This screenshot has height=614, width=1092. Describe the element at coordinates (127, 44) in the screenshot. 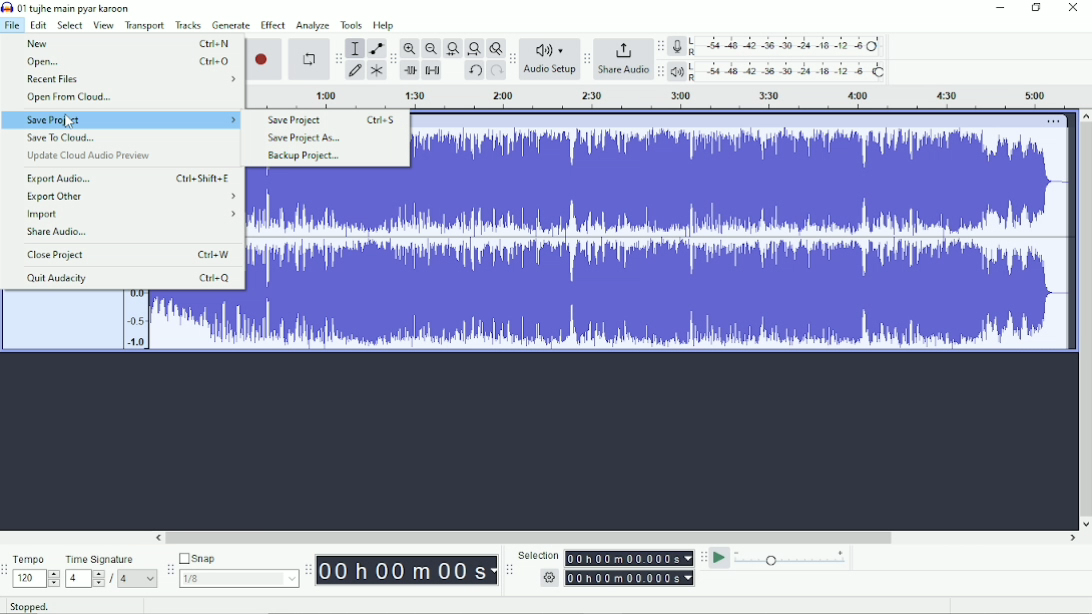

I see `New` at that location.